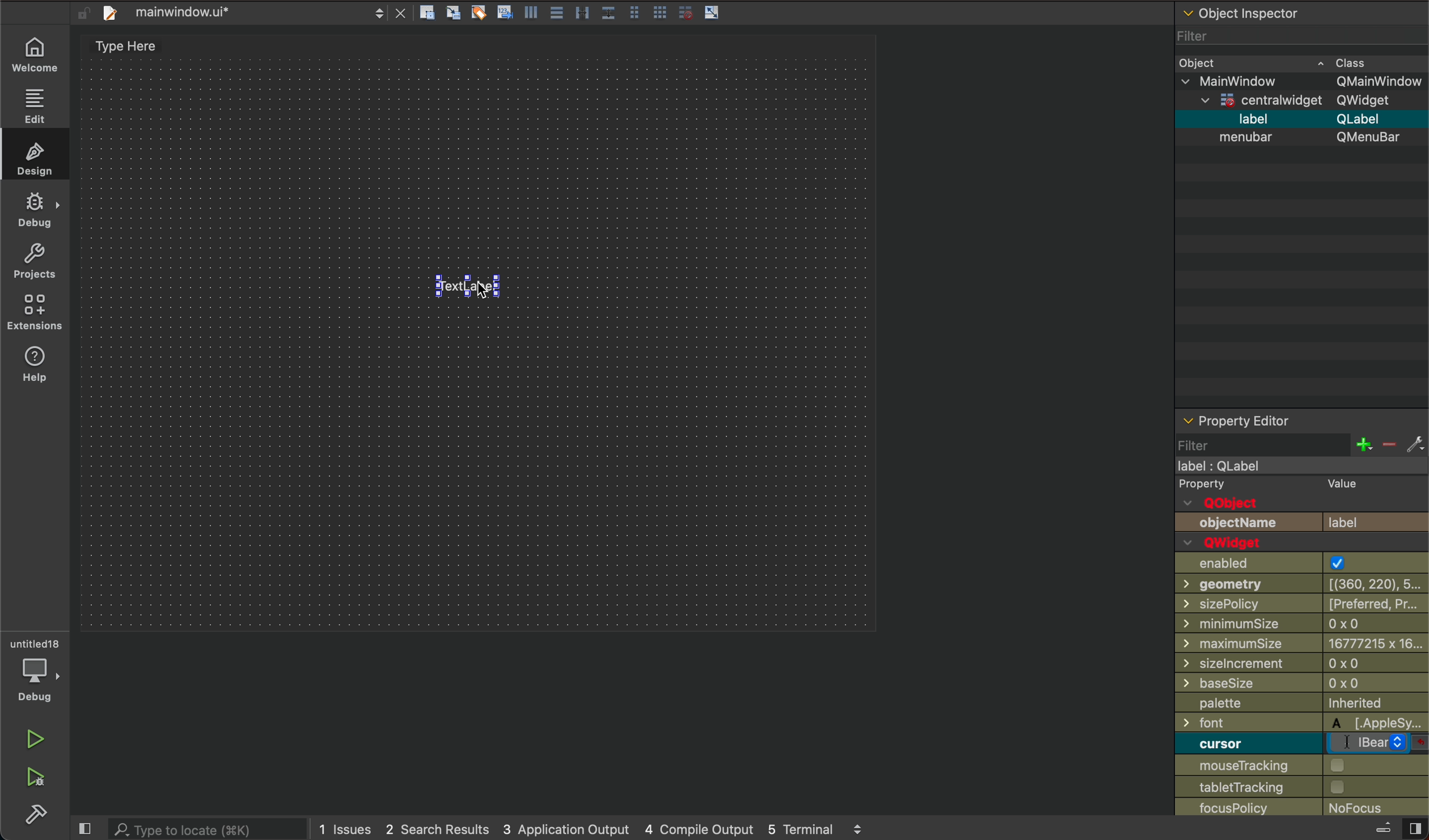 Image resolution: width=1429 pixels, height=840 pixels. I want to click on type here, so click(134, 48).